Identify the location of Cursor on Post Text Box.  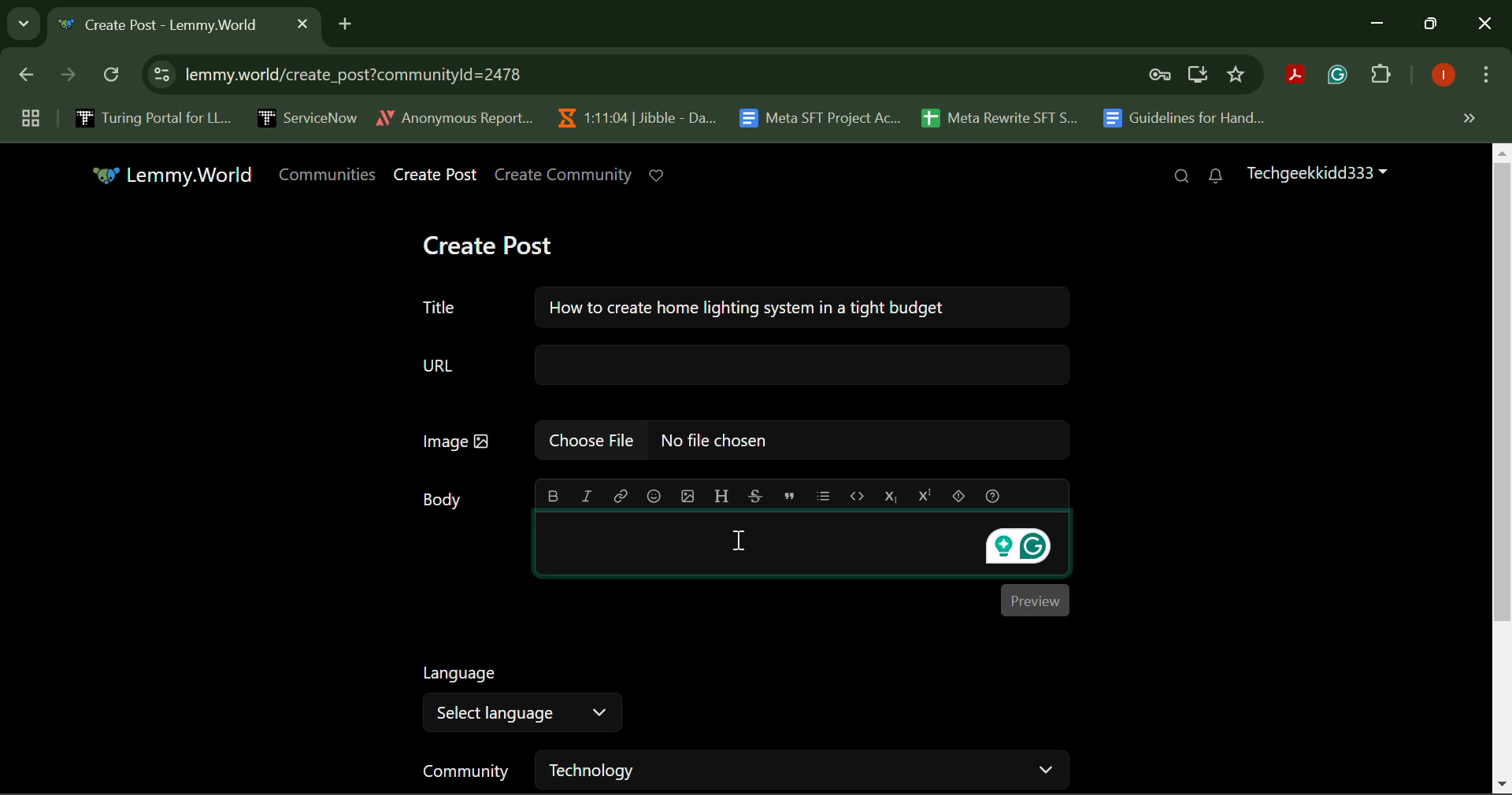
(737, 542).